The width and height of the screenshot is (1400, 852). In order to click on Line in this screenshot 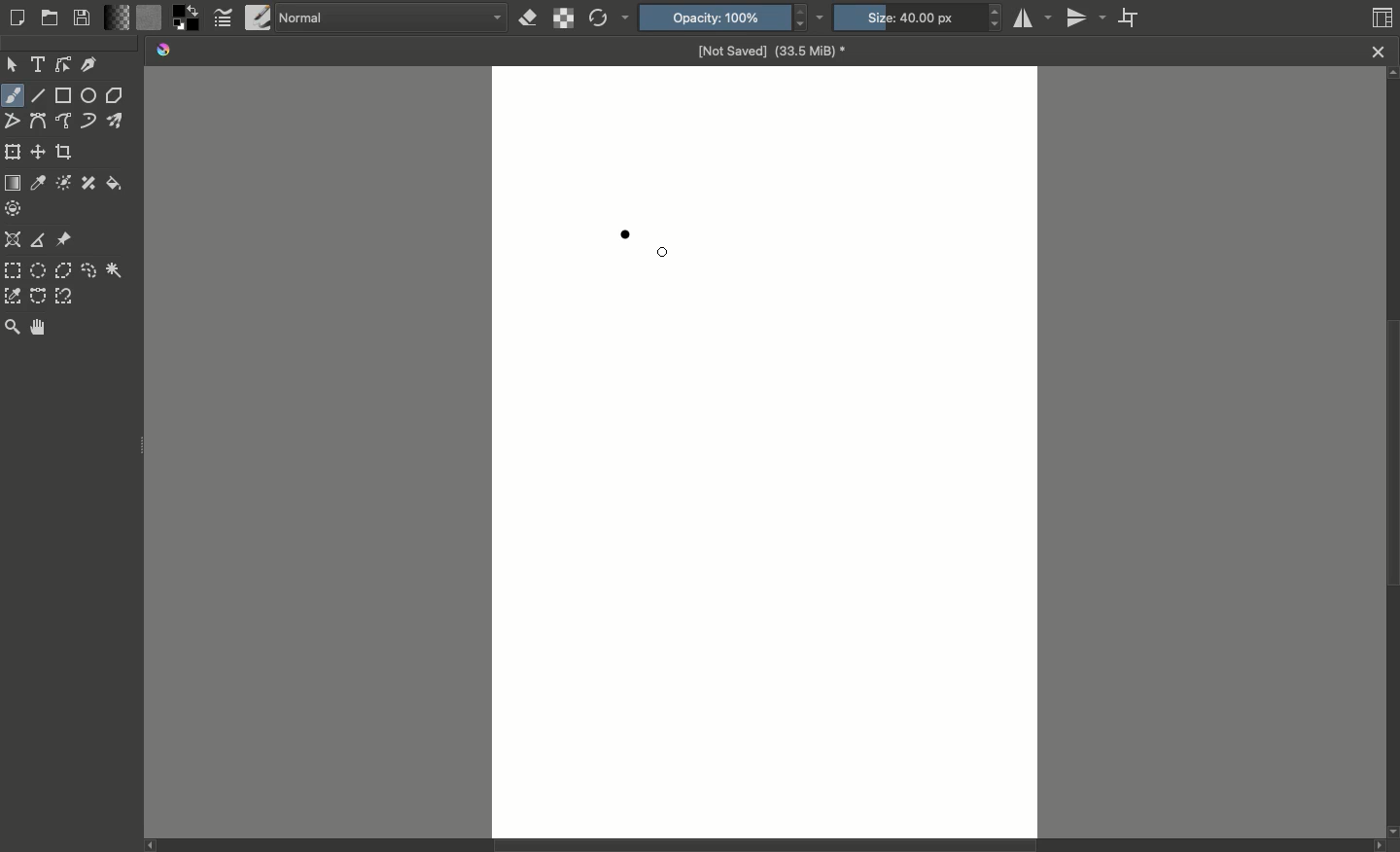, I will do `click(40, 96)`.